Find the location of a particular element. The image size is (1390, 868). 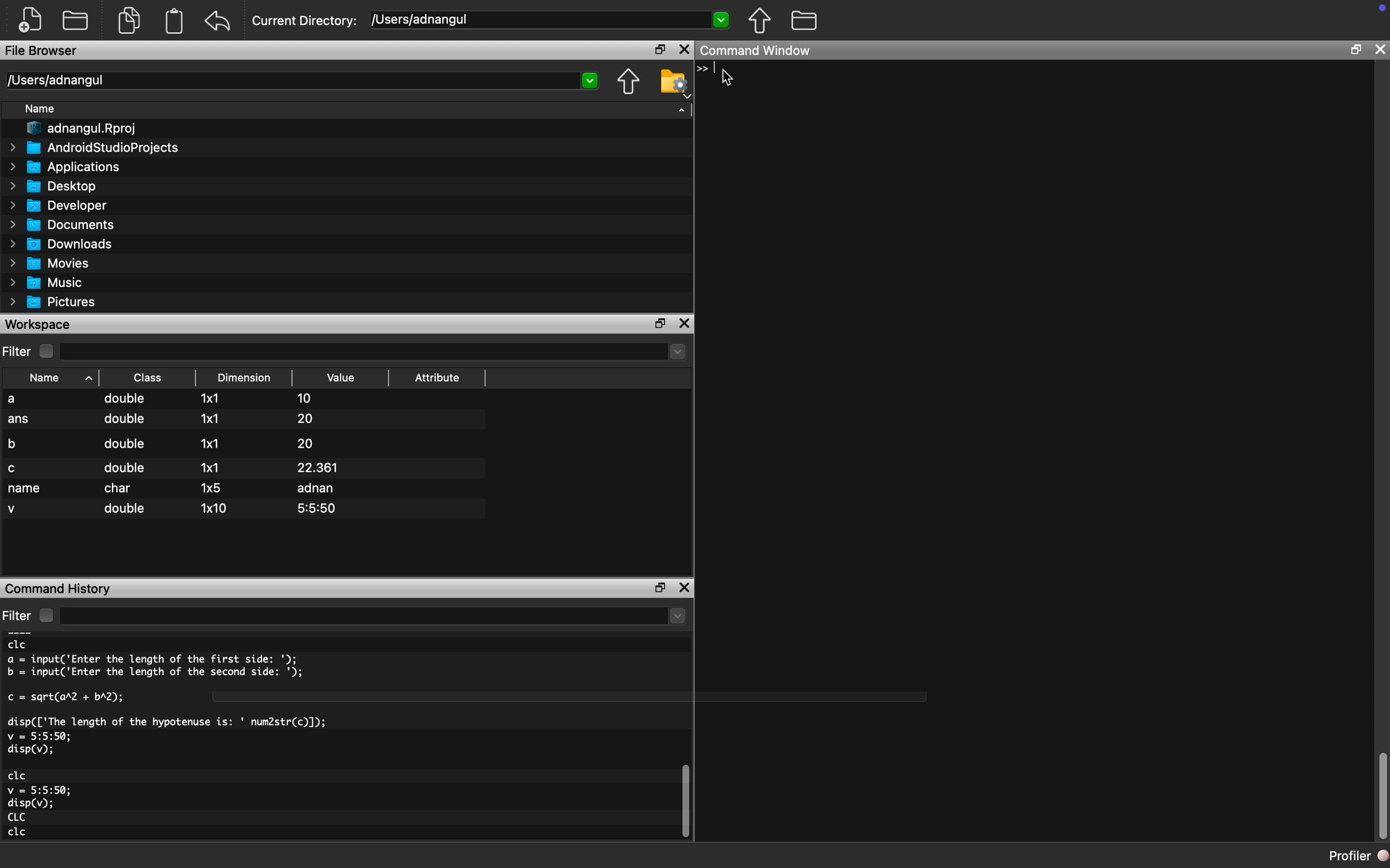

Close is located at coordinates (685, 49).